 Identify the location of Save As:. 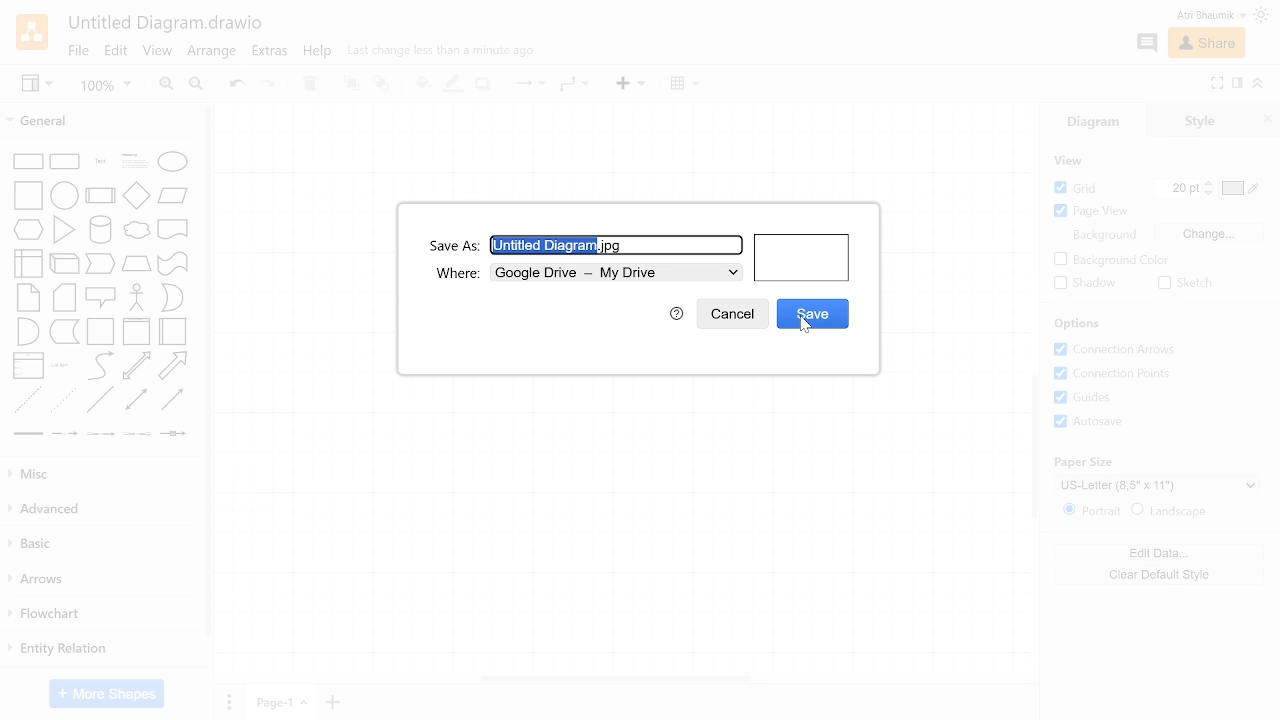
(455, 245).